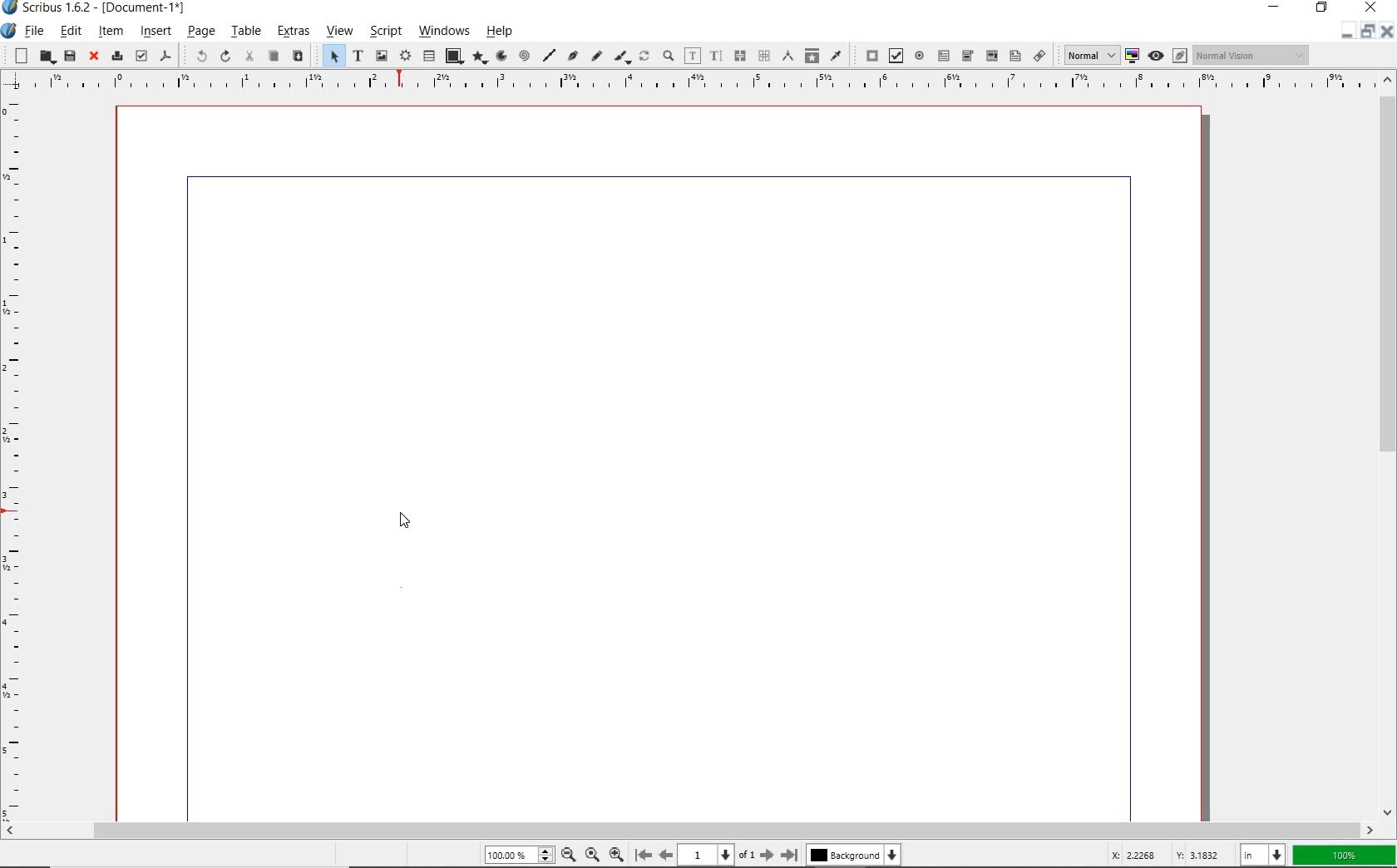 This screenshot has width=1397, height=868. What do you see at coordinates (1385, 33) in the screenshot?
I see `Close` at bounding box center [1385, 33].